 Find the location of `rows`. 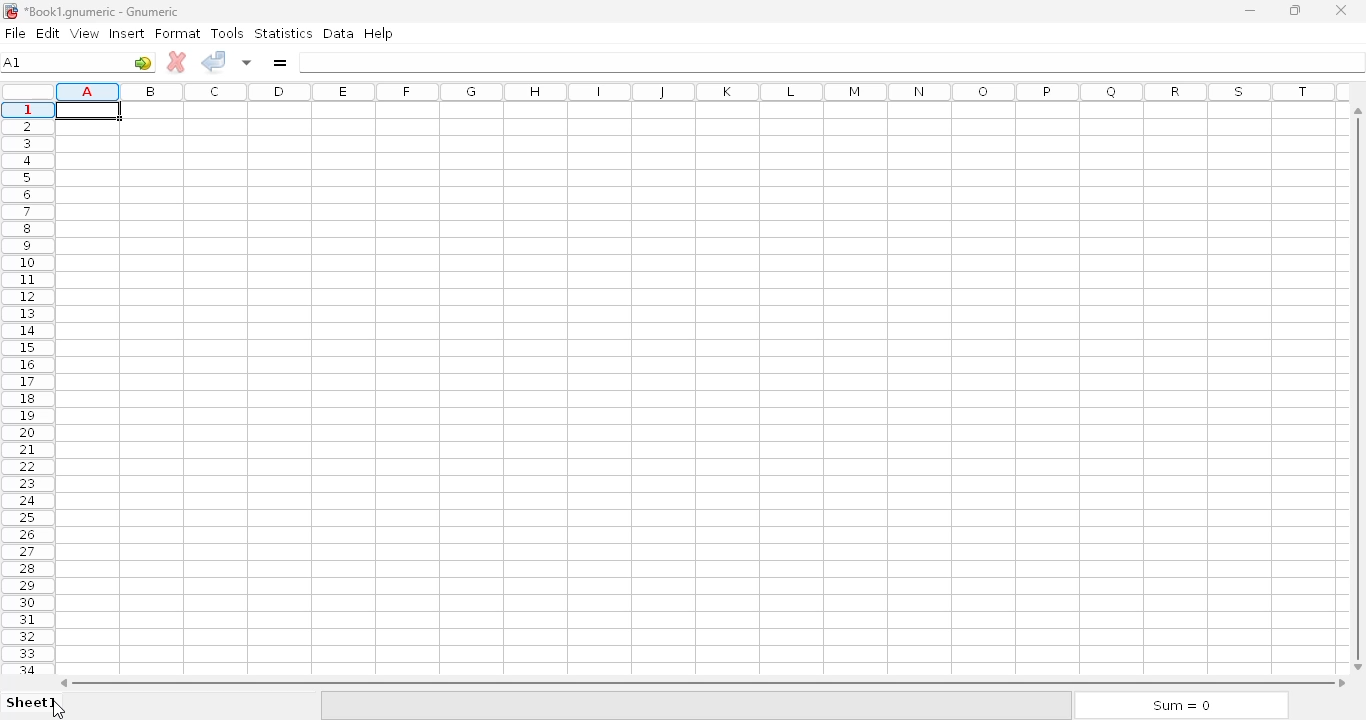

rows is located at coordinates (28, 387).